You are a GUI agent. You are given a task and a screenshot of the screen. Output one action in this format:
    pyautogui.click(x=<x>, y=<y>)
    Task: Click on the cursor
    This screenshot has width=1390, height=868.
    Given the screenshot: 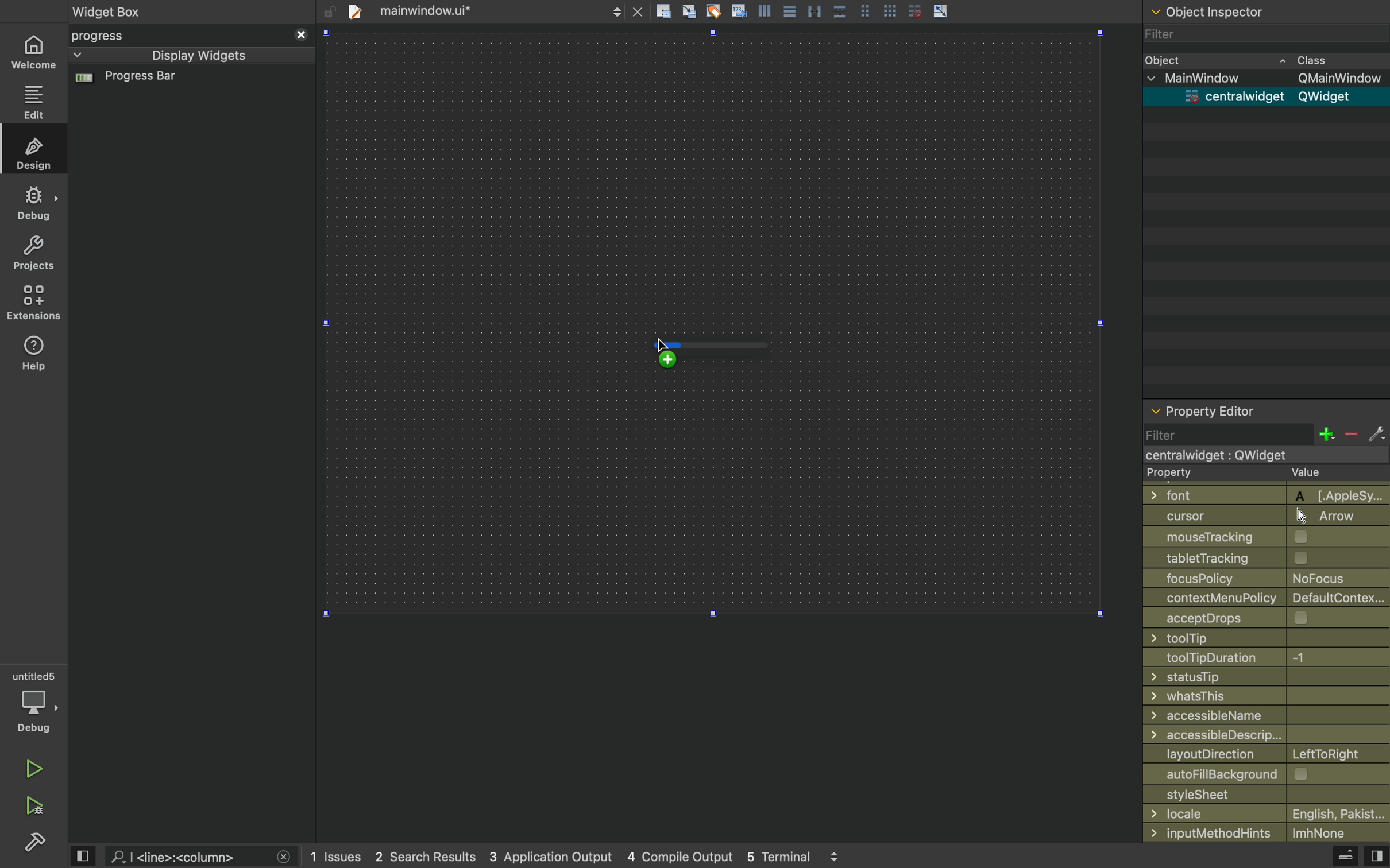 What is the action you would take?
    pyautogui.click(x=670, y=350)
    